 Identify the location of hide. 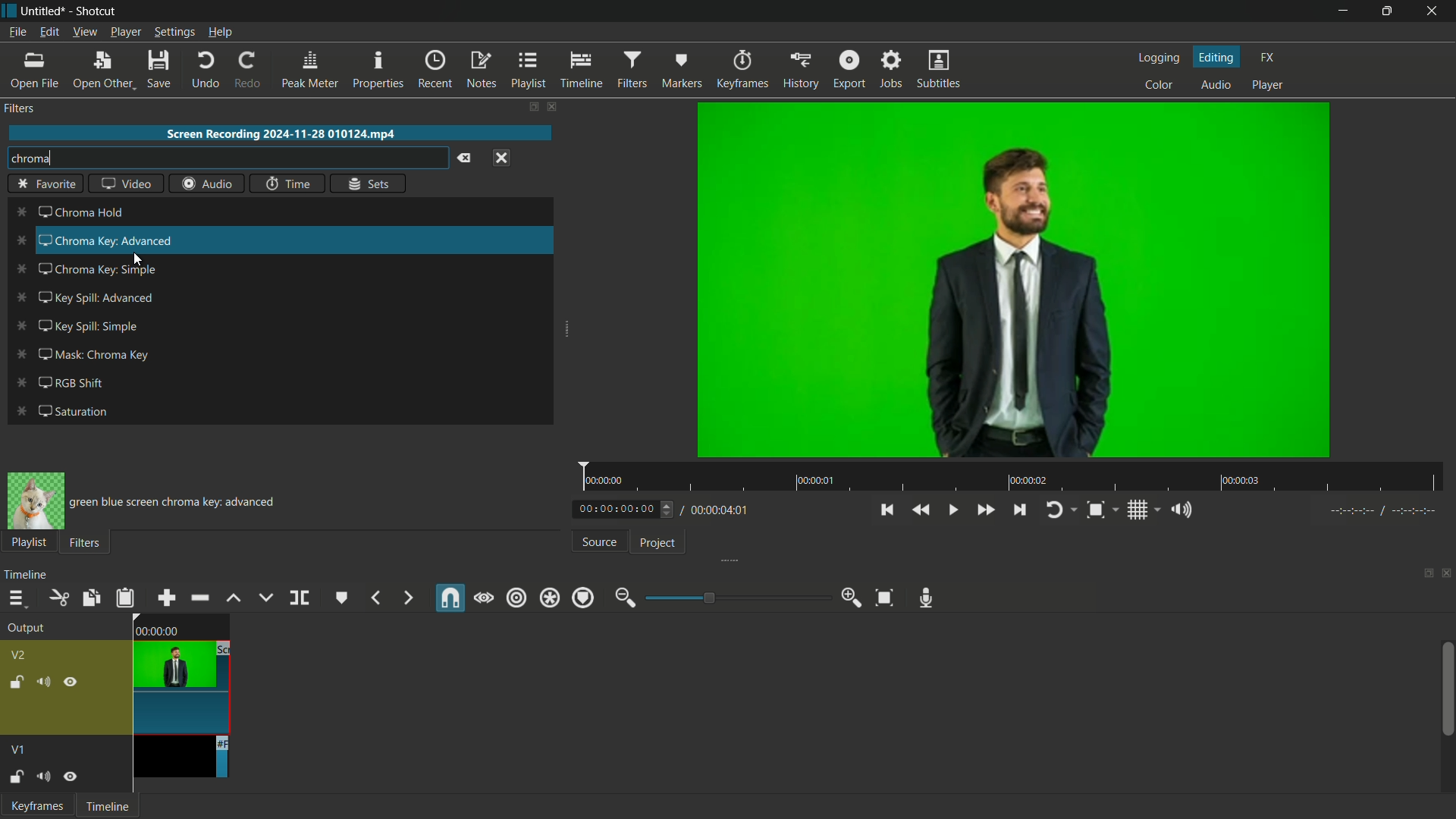
(70, 776).